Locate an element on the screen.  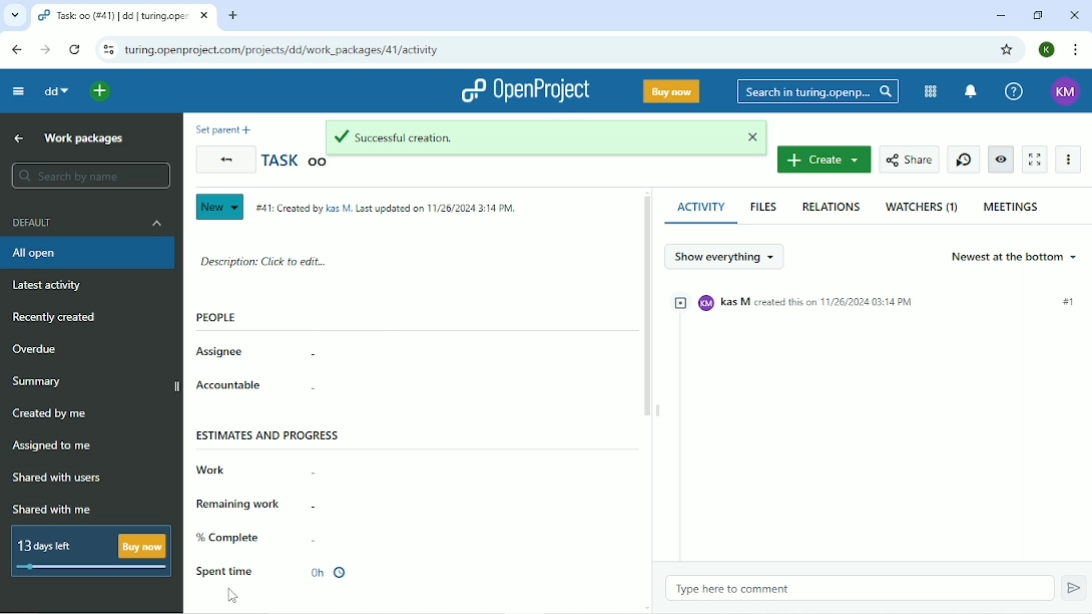
dd is located at coordinates (57, 92).